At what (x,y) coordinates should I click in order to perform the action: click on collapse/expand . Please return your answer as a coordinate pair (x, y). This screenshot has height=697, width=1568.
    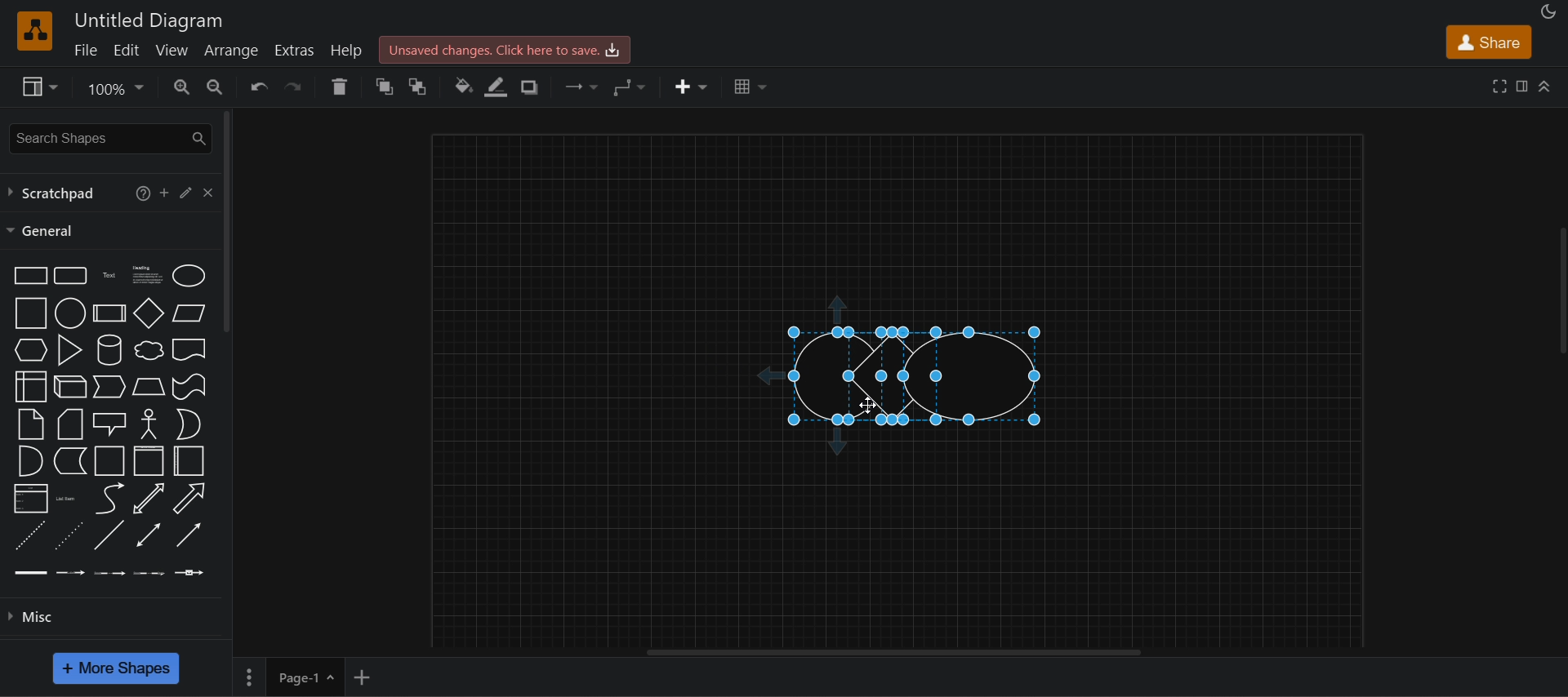
    Looking at the image, I should click on (1546, 85).